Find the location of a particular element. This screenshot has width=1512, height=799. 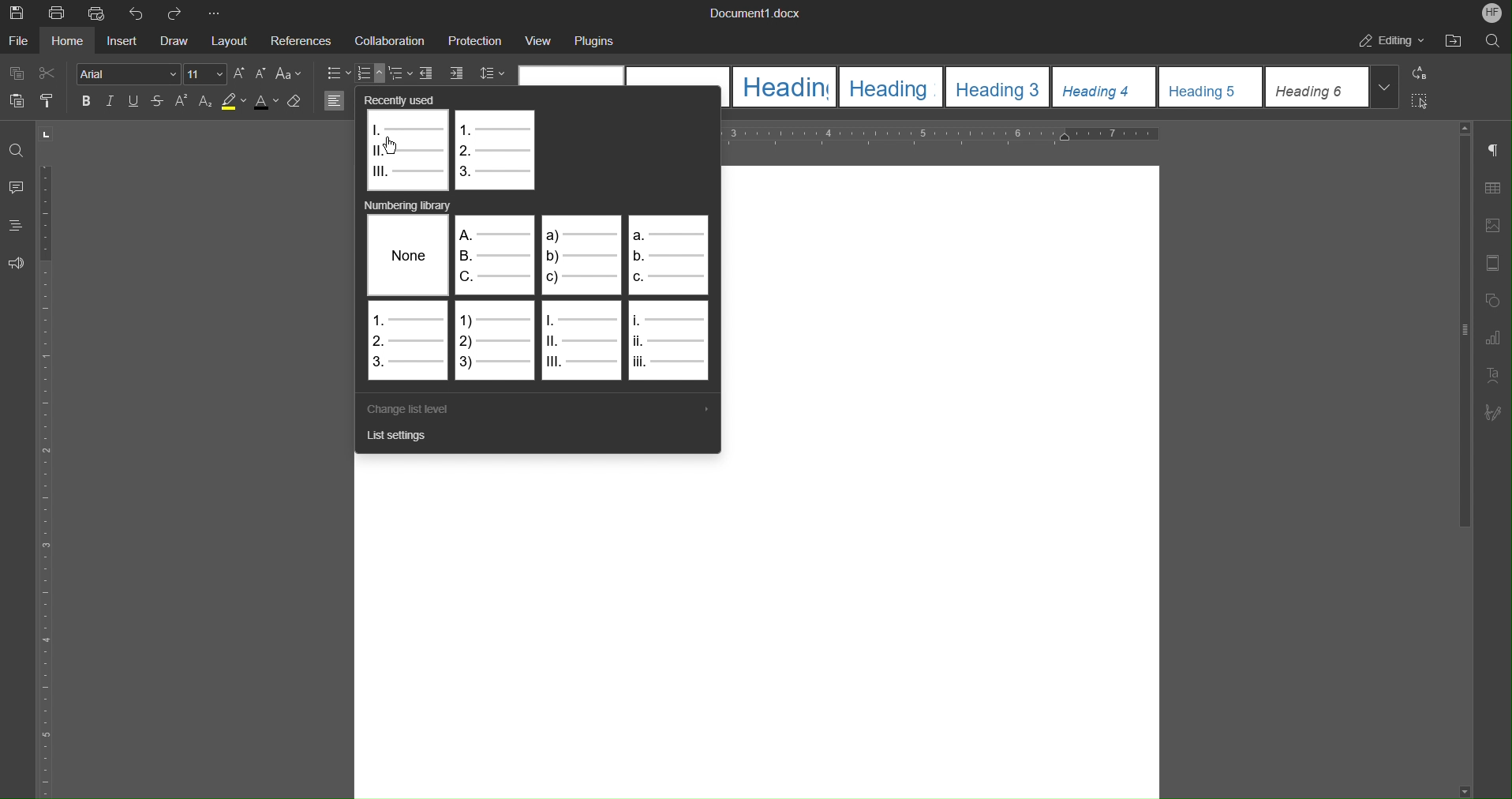

Highlight is located at coordinates (234, 102).